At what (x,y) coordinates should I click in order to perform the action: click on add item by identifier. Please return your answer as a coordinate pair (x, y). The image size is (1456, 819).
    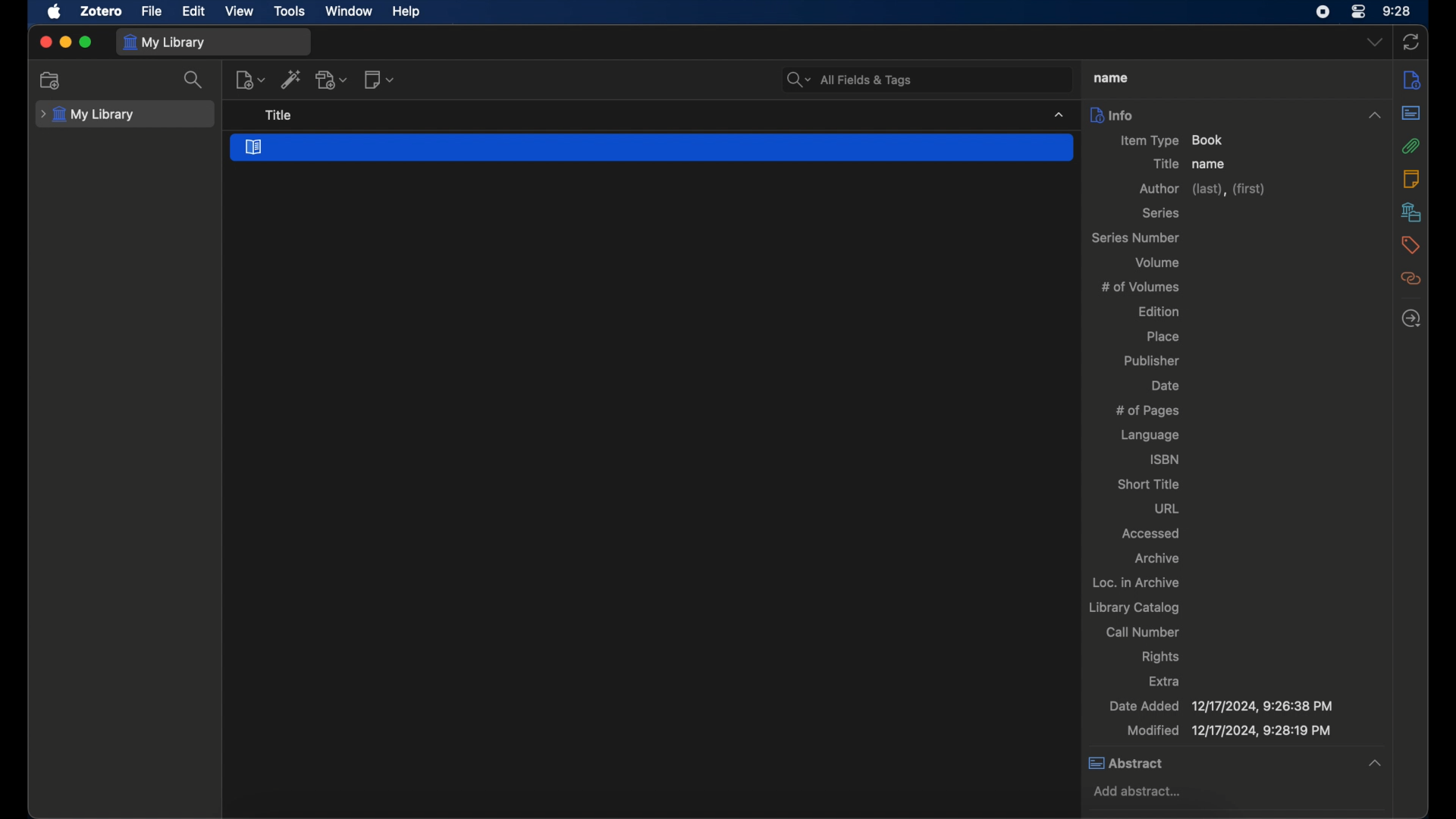
    Looking at the image, I should click on (290, 79).